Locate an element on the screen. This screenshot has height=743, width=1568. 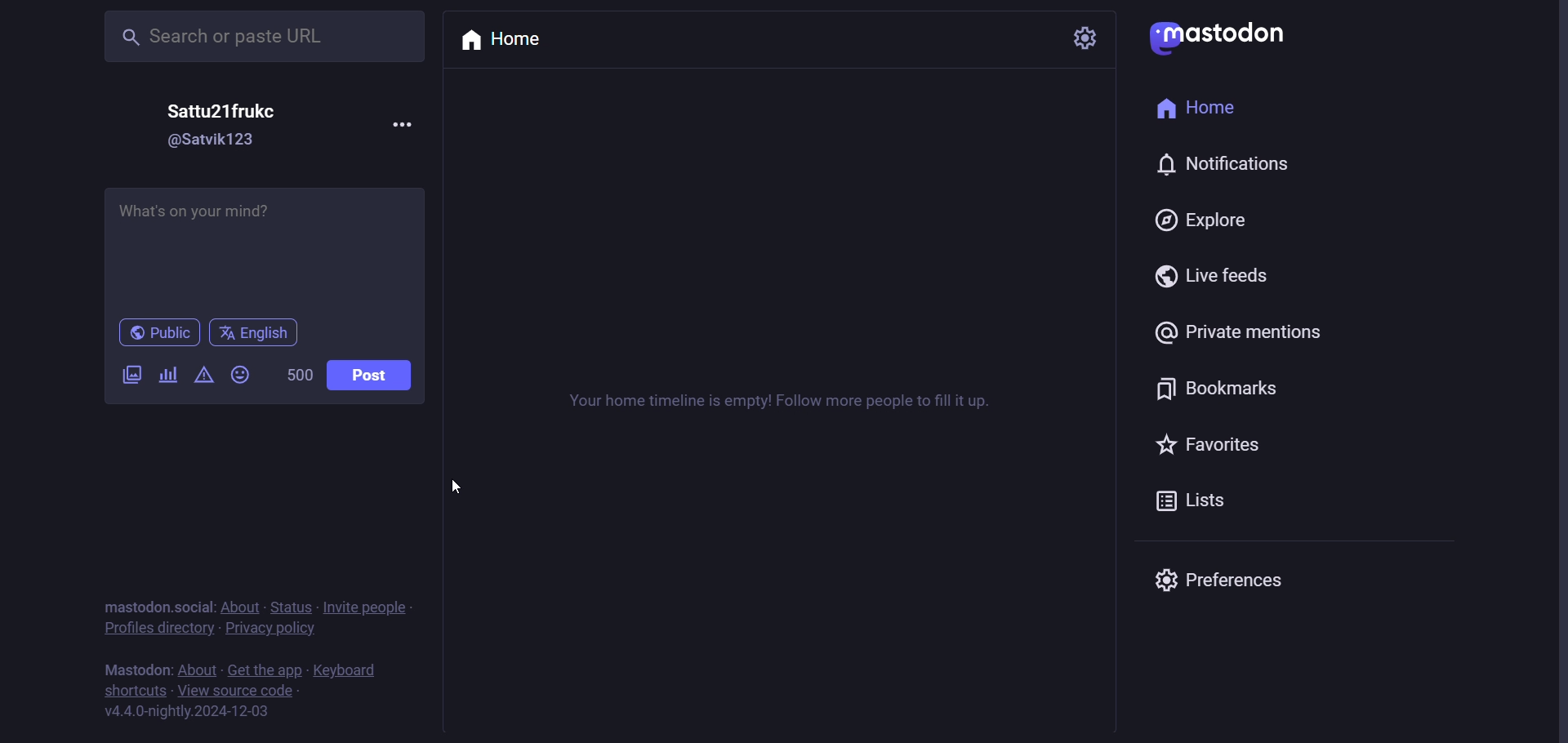
get the app is located at coordinates (267, 670).